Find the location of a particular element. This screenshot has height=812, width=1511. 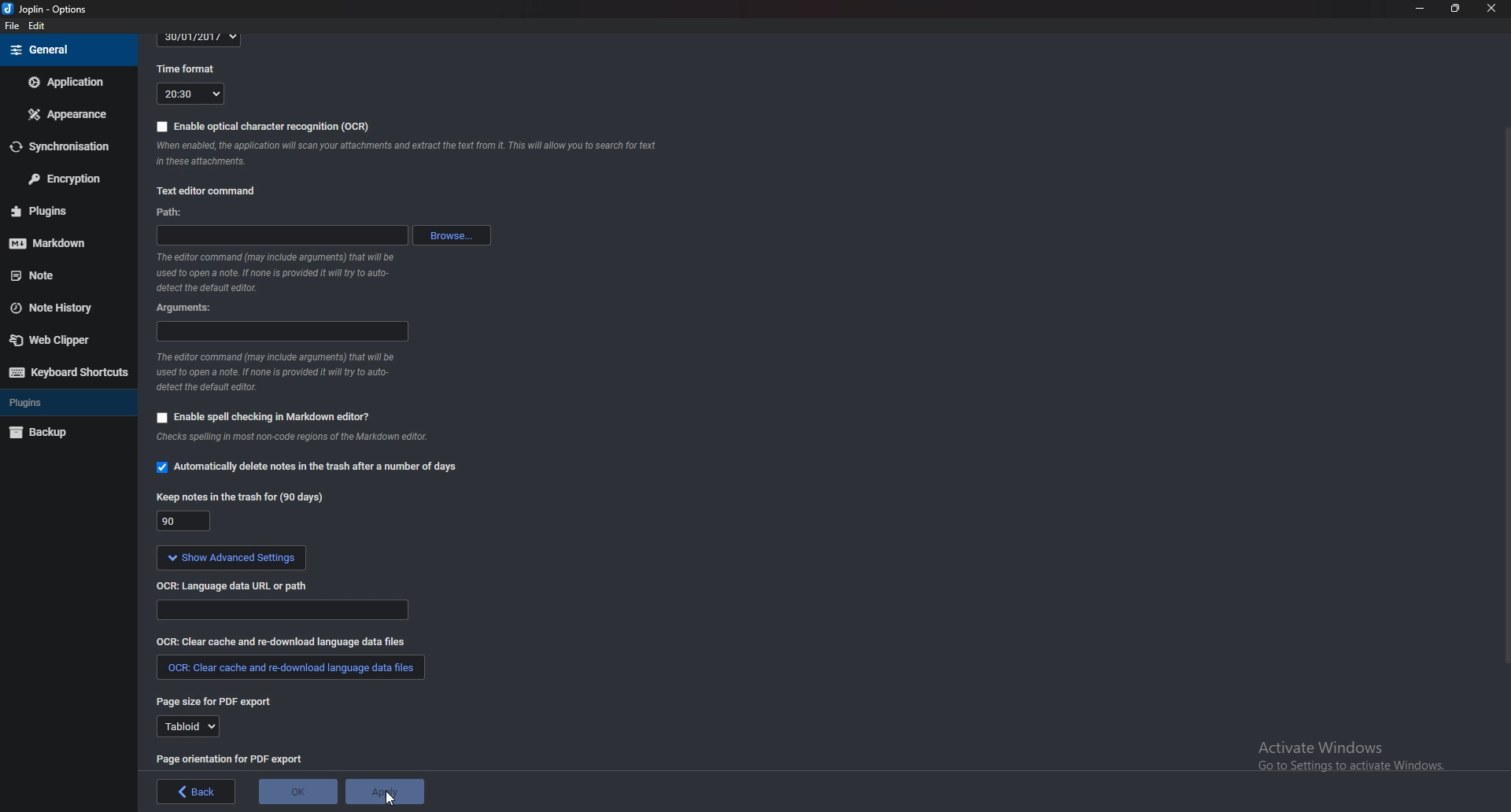

close is located at coordinates (1490, 9).